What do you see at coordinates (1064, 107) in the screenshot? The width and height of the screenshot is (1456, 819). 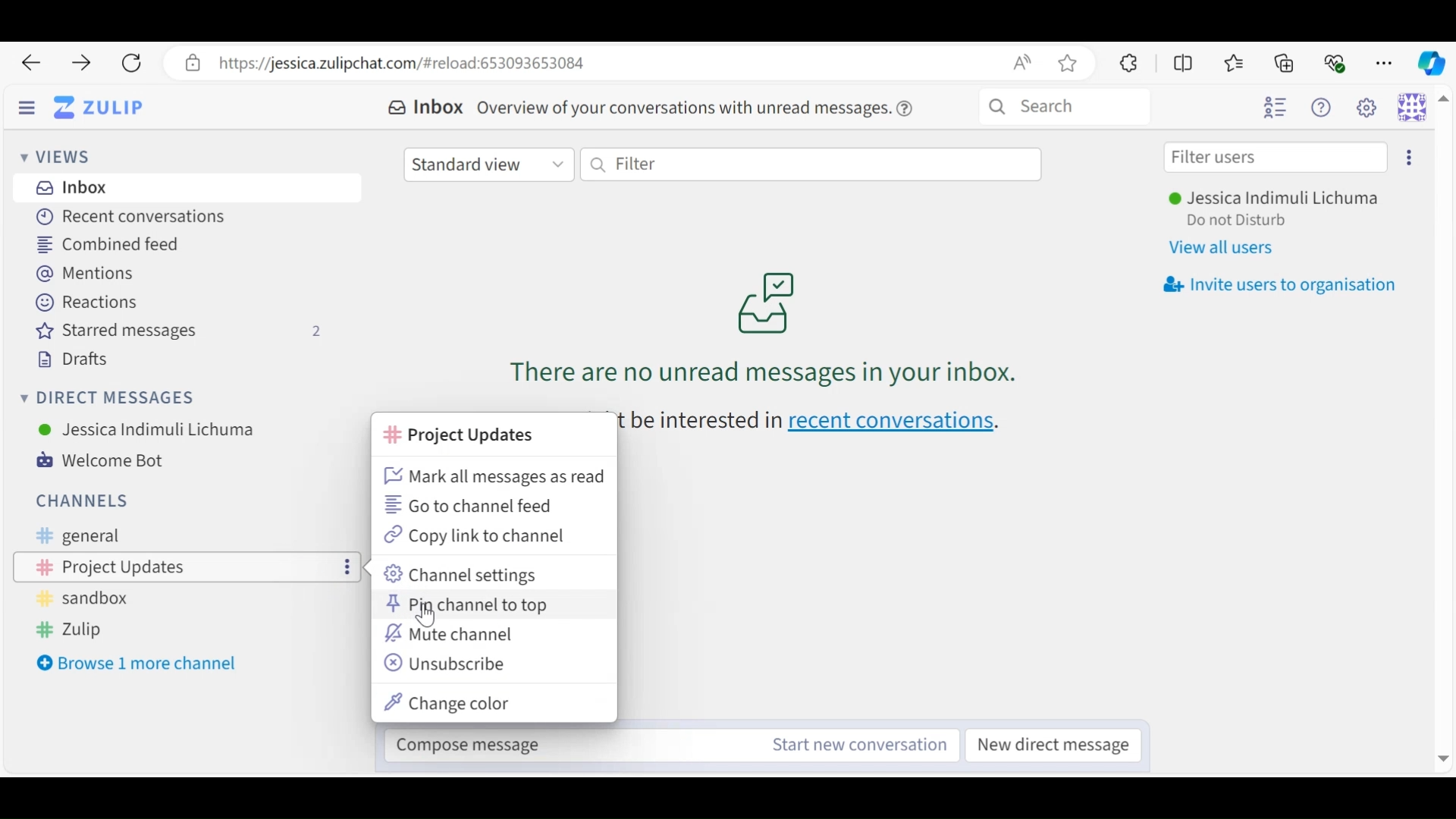 I see `Search` at bounding box center [1064, 107].